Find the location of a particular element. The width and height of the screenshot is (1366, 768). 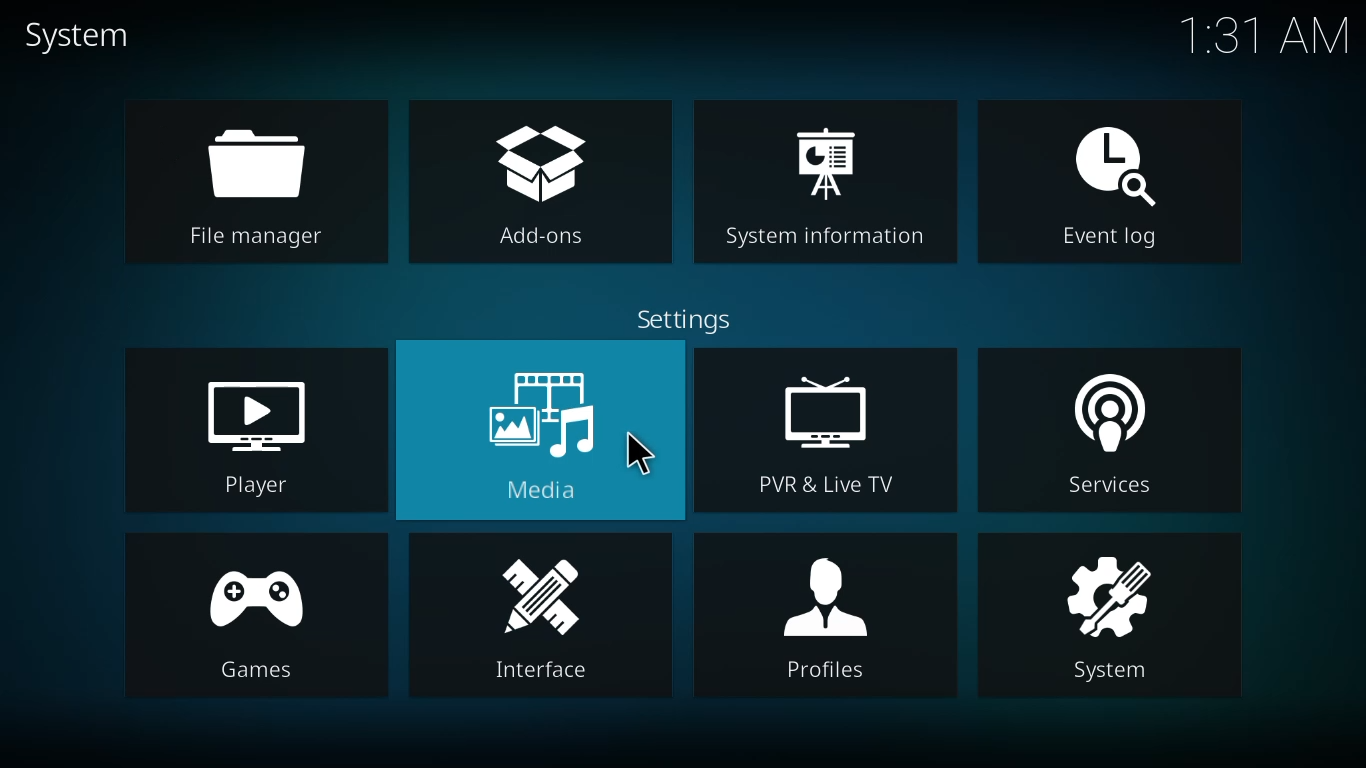

interface is located at coordinates (544, 617).